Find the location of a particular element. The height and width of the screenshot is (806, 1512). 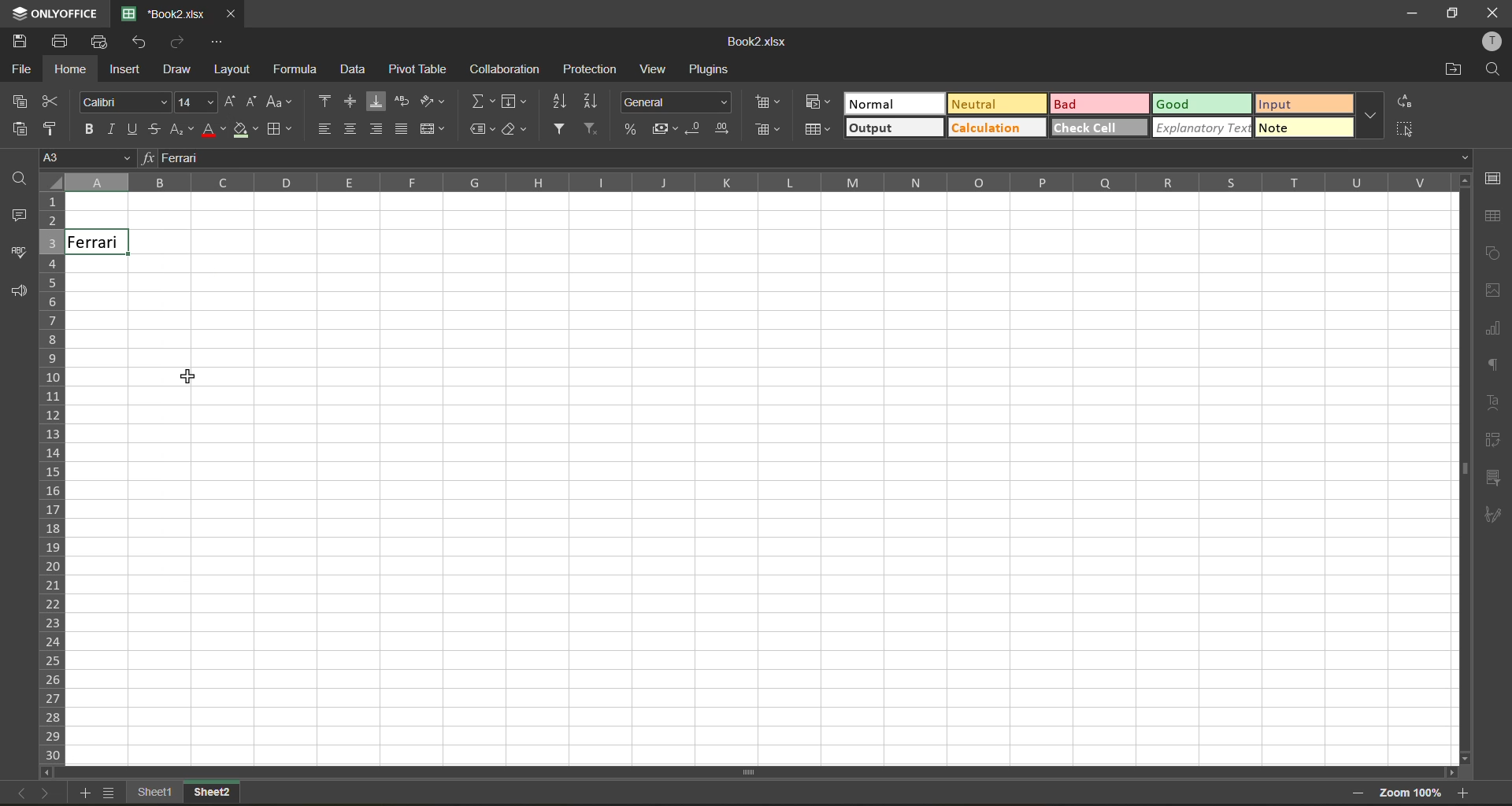

orientation is located at coordinates (431, 100).